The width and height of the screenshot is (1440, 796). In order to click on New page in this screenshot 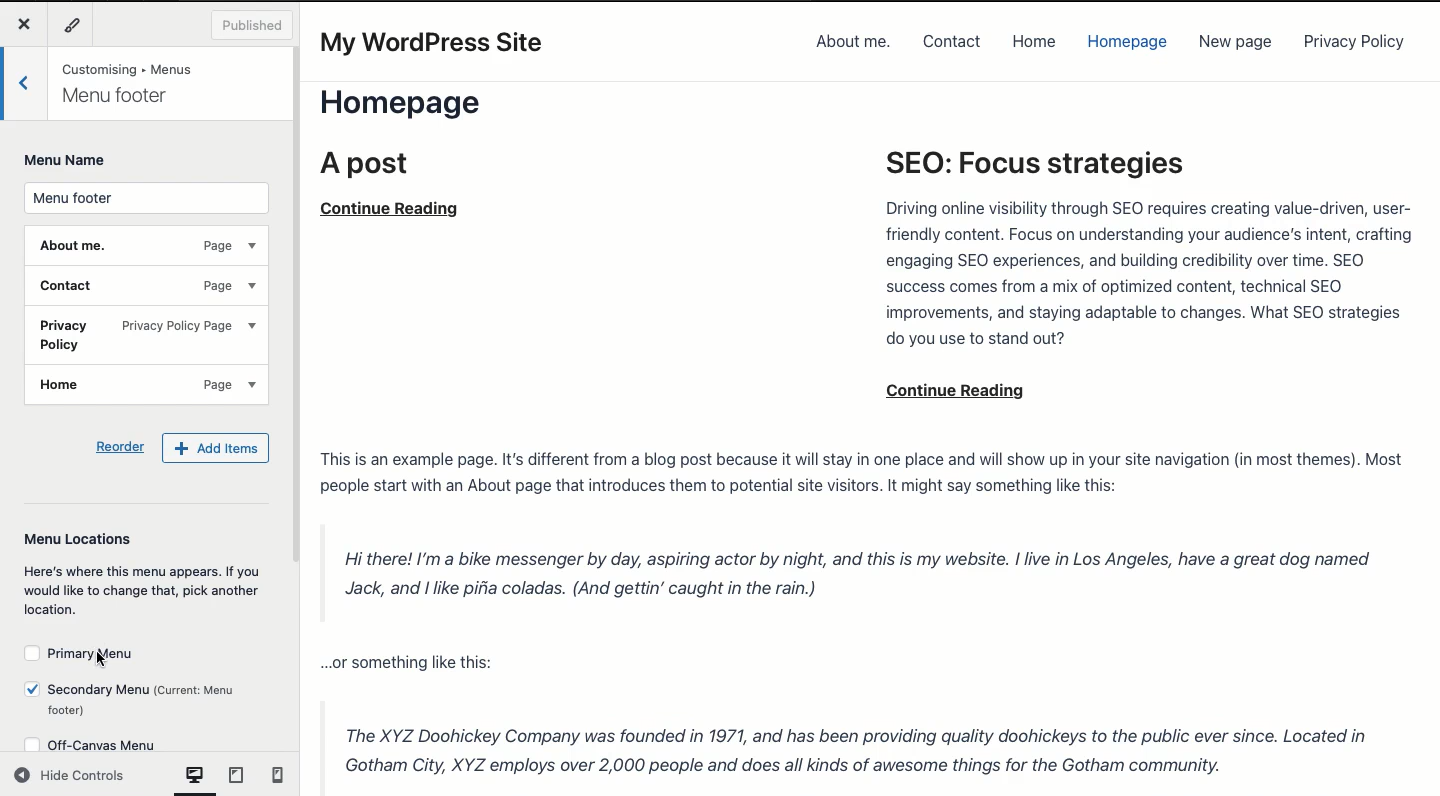, I will do `click(1235, 43)`.